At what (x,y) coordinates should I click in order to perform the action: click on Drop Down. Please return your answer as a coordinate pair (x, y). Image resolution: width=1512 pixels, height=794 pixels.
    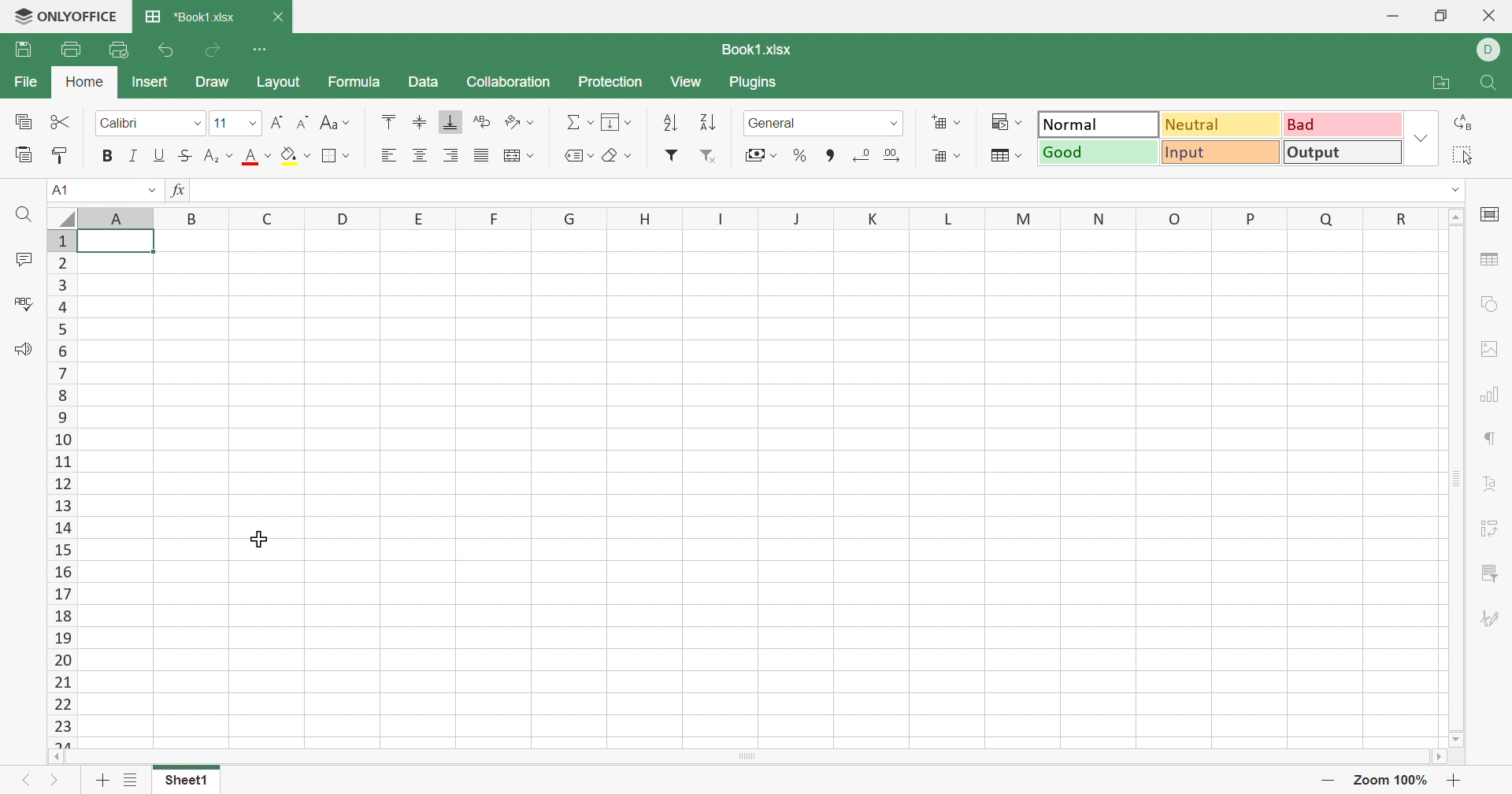
    Looking at the image, I should click on (535, 121).